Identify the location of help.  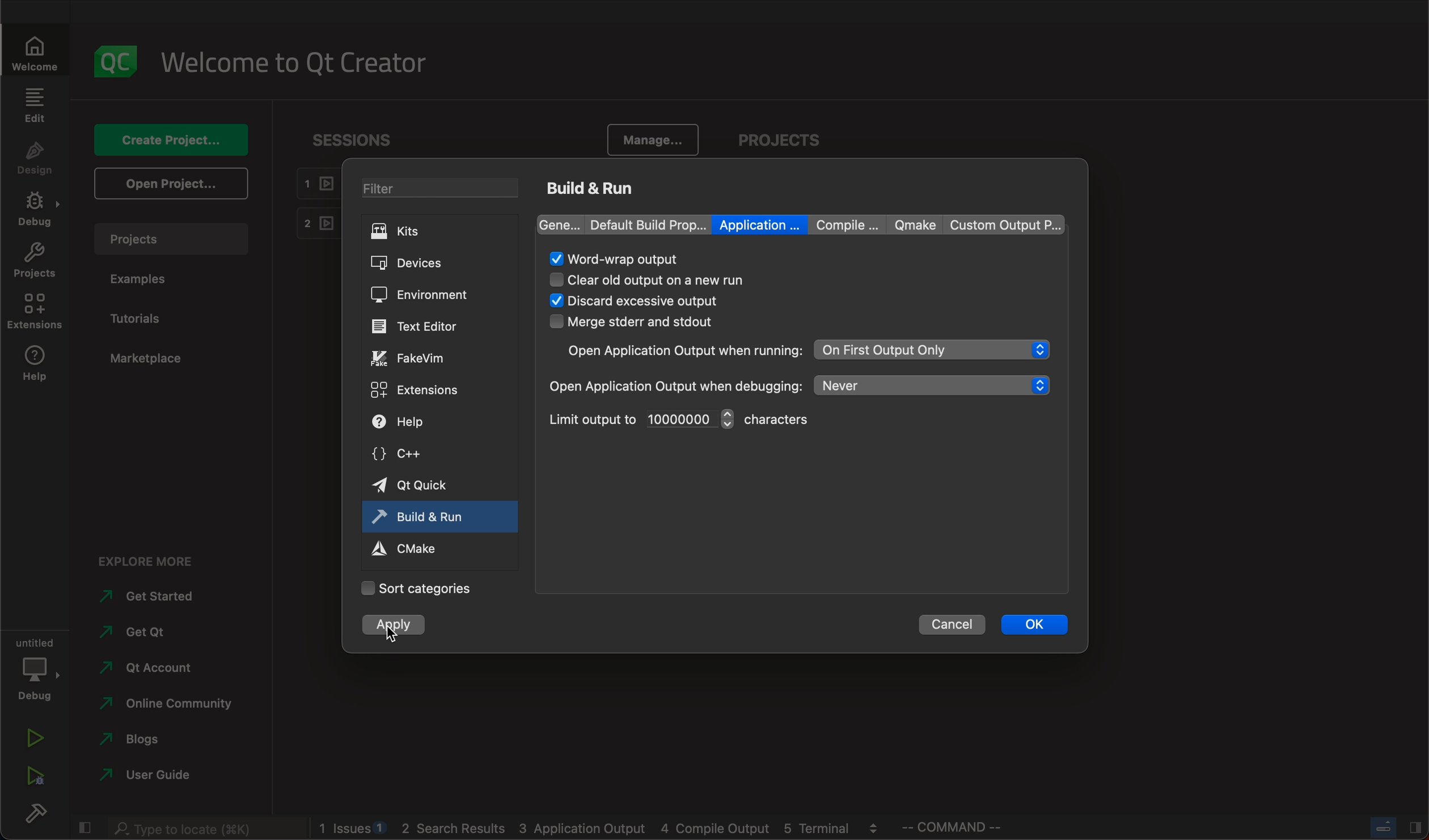
(428, 422).